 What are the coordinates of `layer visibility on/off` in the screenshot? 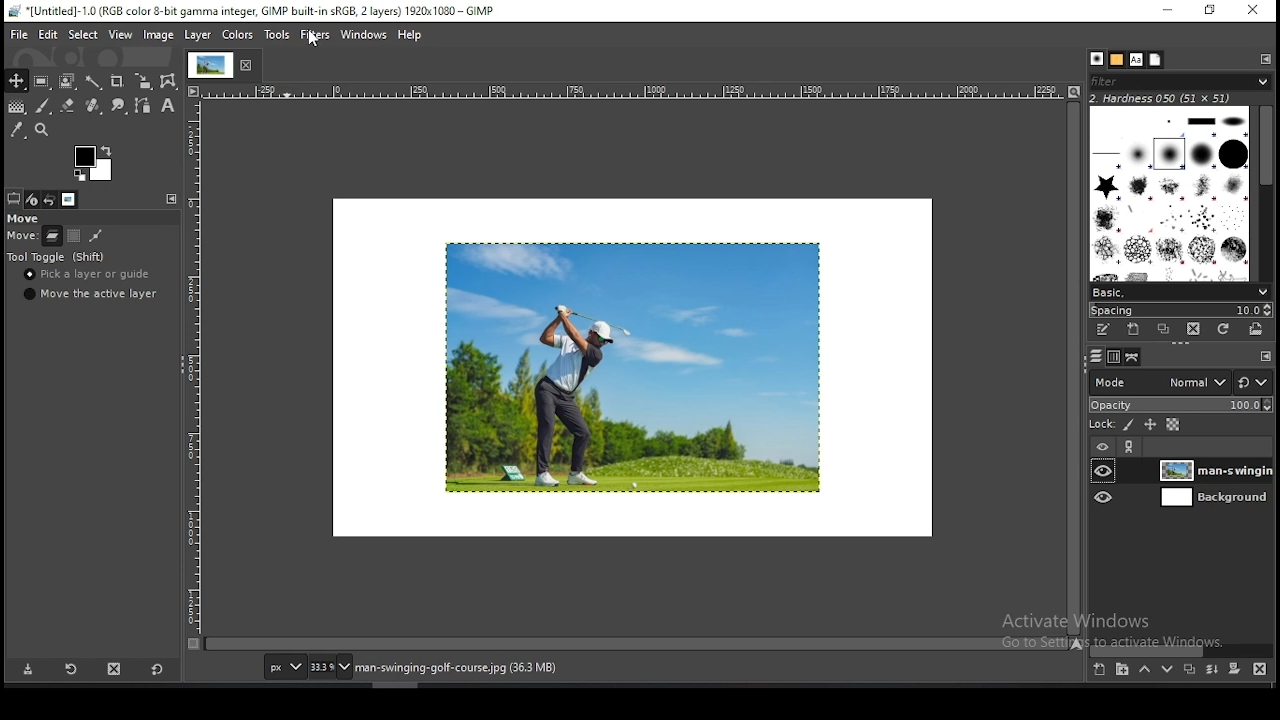 It's located at (1103, 497).